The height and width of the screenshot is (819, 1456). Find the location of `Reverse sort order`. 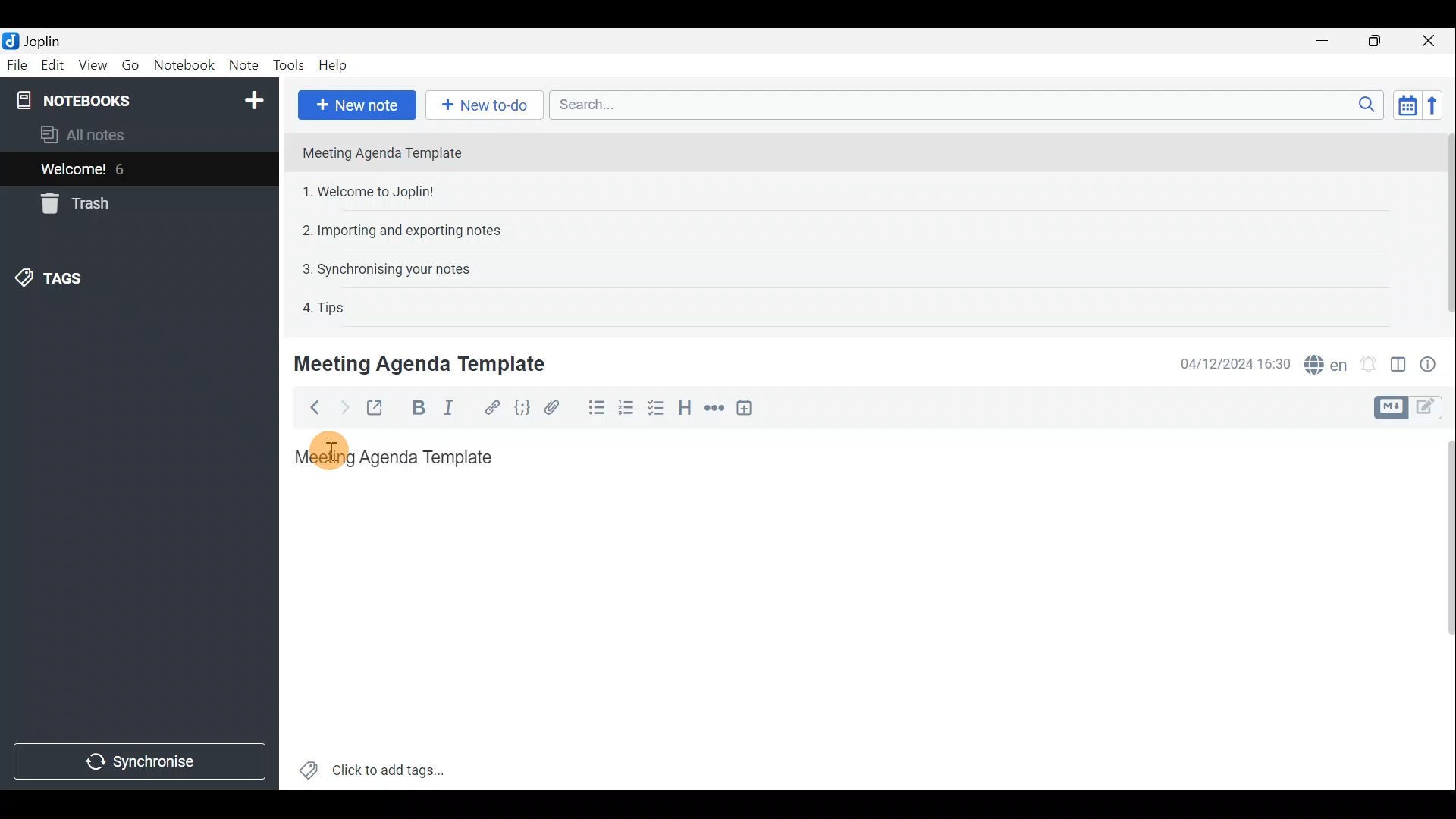

Reverse sort order is located at coordinates (1435, 105).